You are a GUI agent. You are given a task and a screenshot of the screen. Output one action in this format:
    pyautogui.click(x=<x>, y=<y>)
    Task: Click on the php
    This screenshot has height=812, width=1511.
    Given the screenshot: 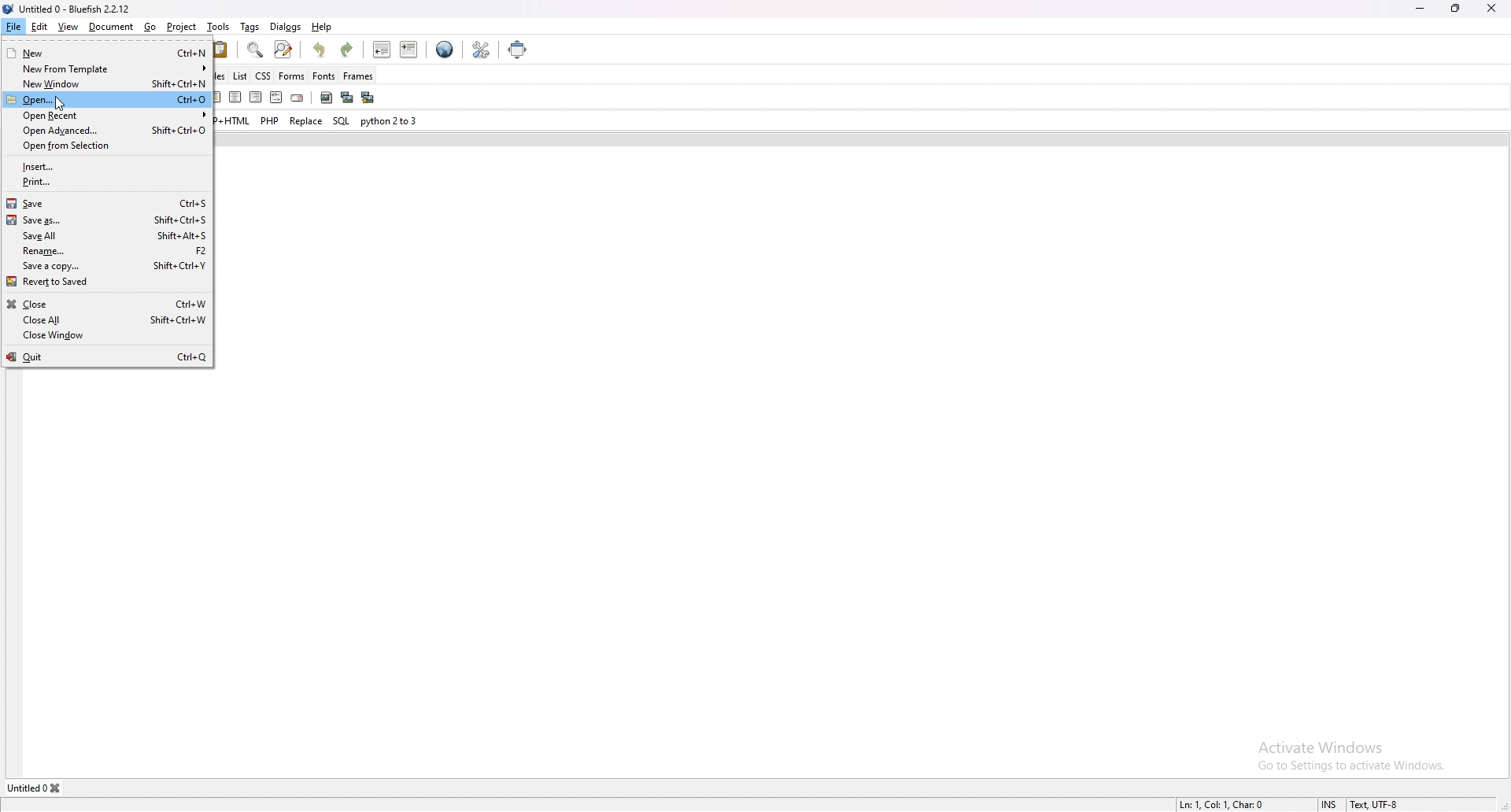 What is the action you would take?
    pyautogui.click(x=271, y=121)
    